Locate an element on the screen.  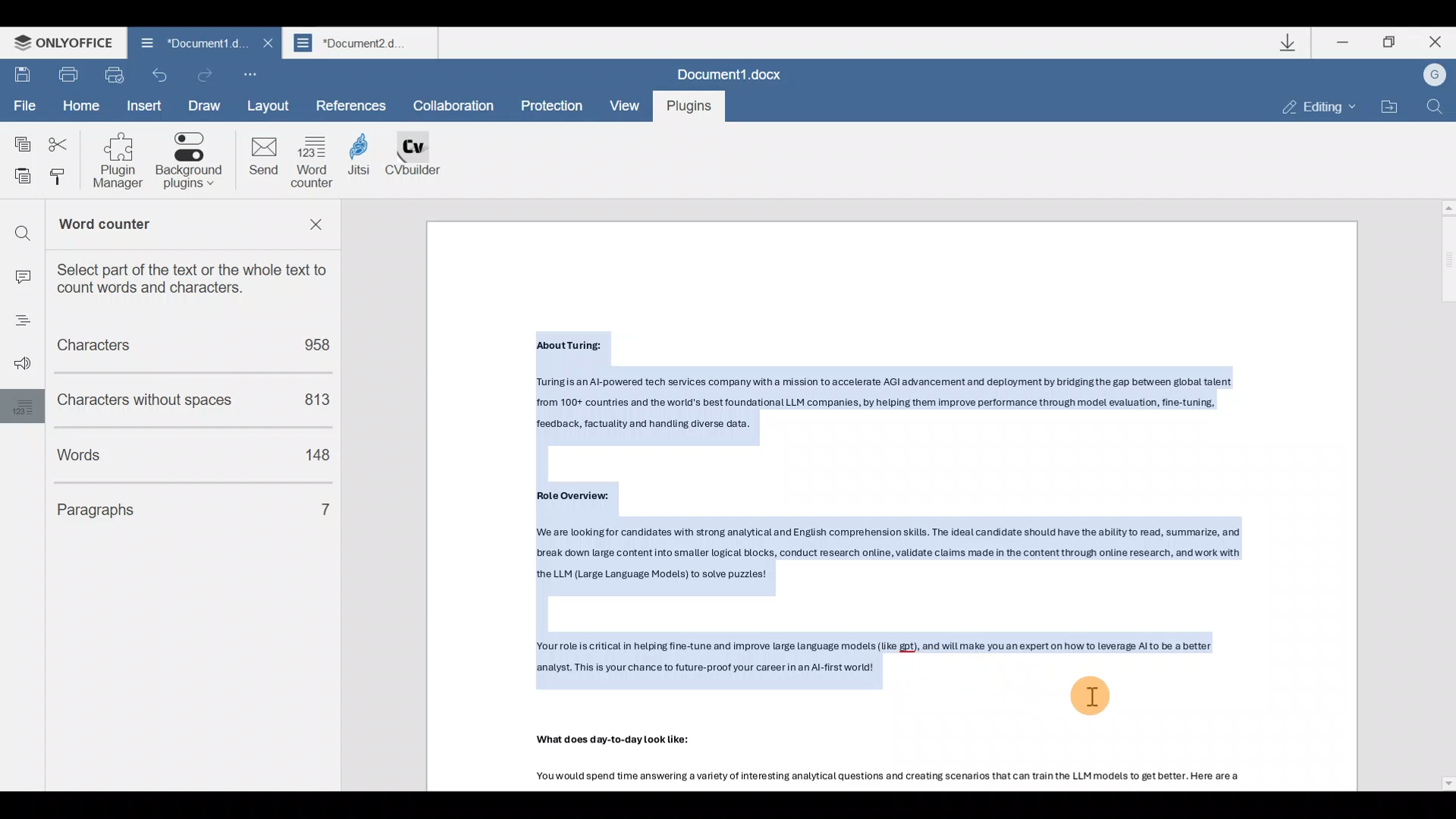
File is located at coordinates (24, 106).